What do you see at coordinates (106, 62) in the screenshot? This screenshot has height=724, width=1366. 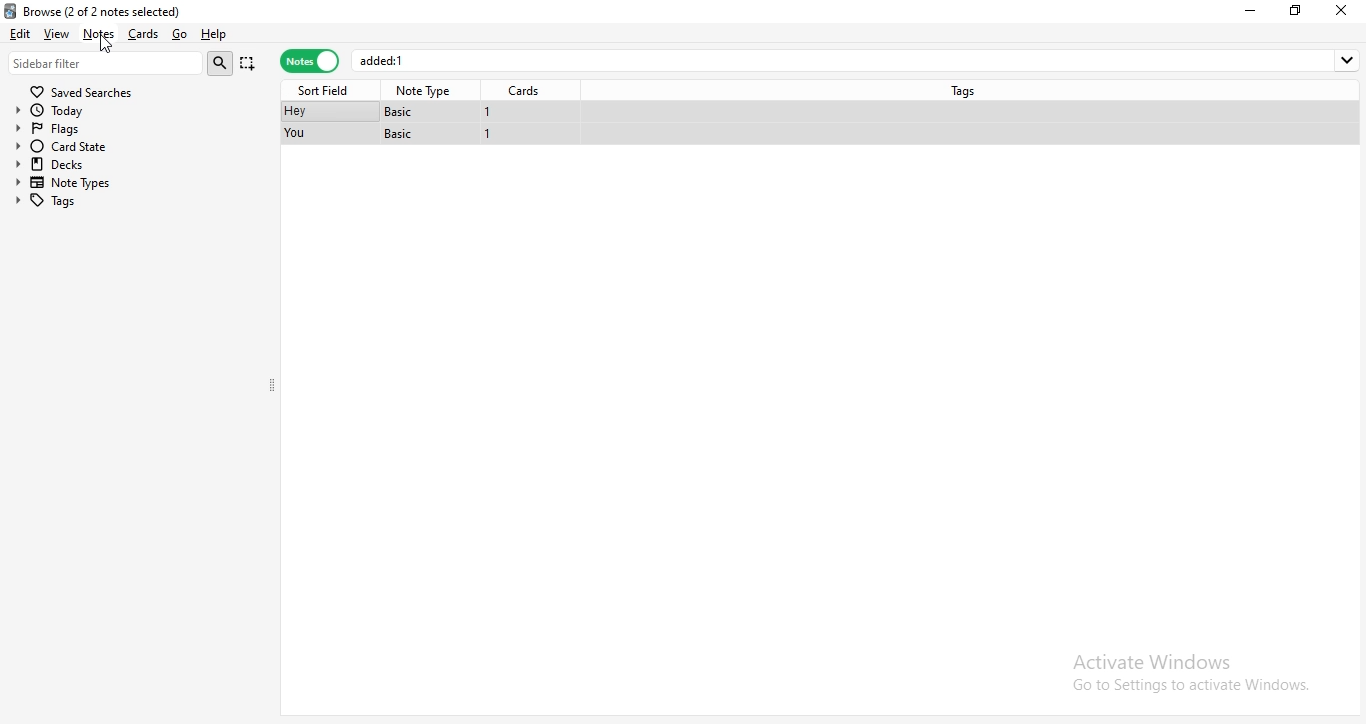 I see `sidebar filter` at bounding box center [106, 62].